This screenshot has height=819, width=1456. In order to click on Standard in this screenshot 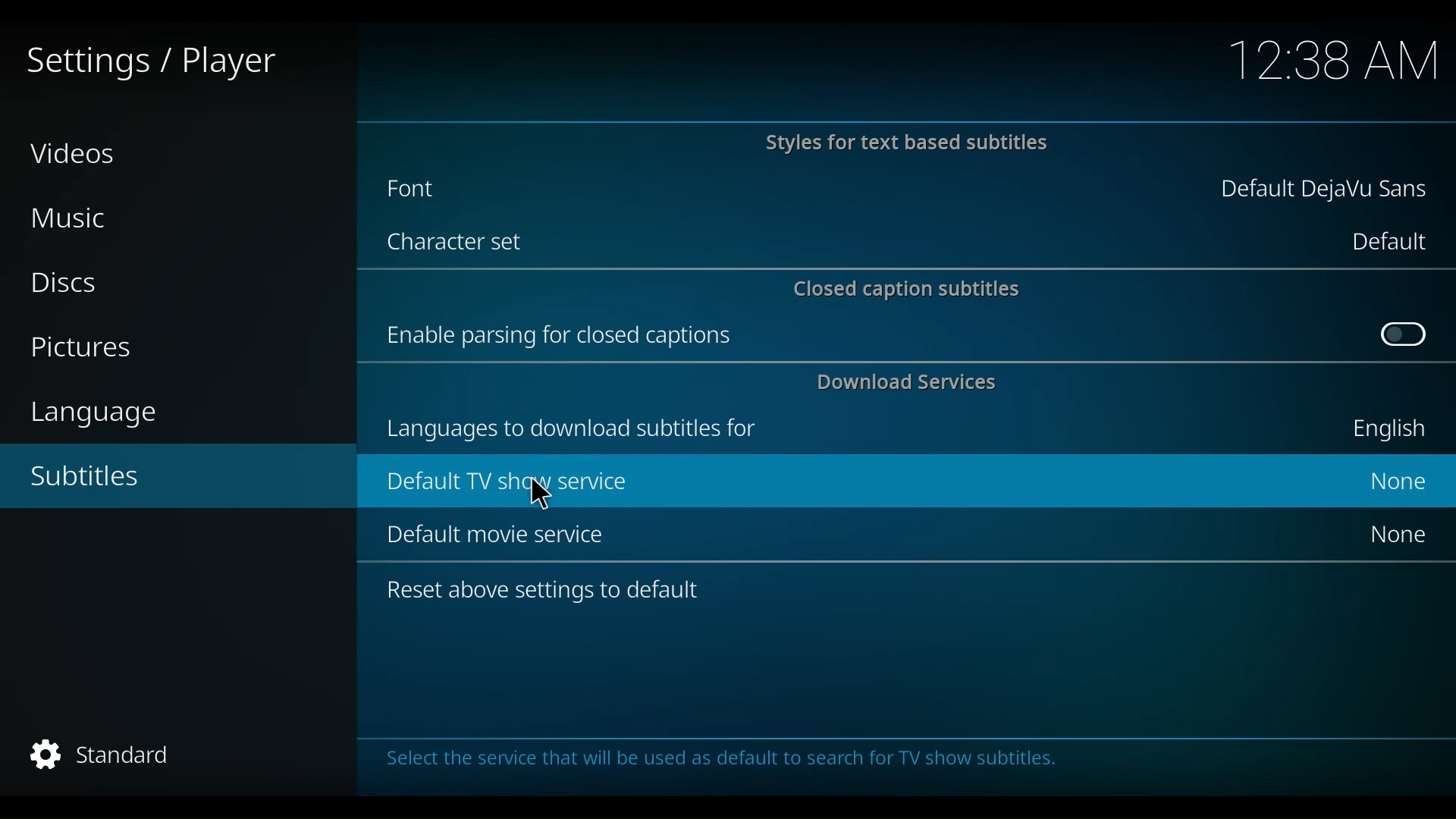, I will do `click(97, 757)`.